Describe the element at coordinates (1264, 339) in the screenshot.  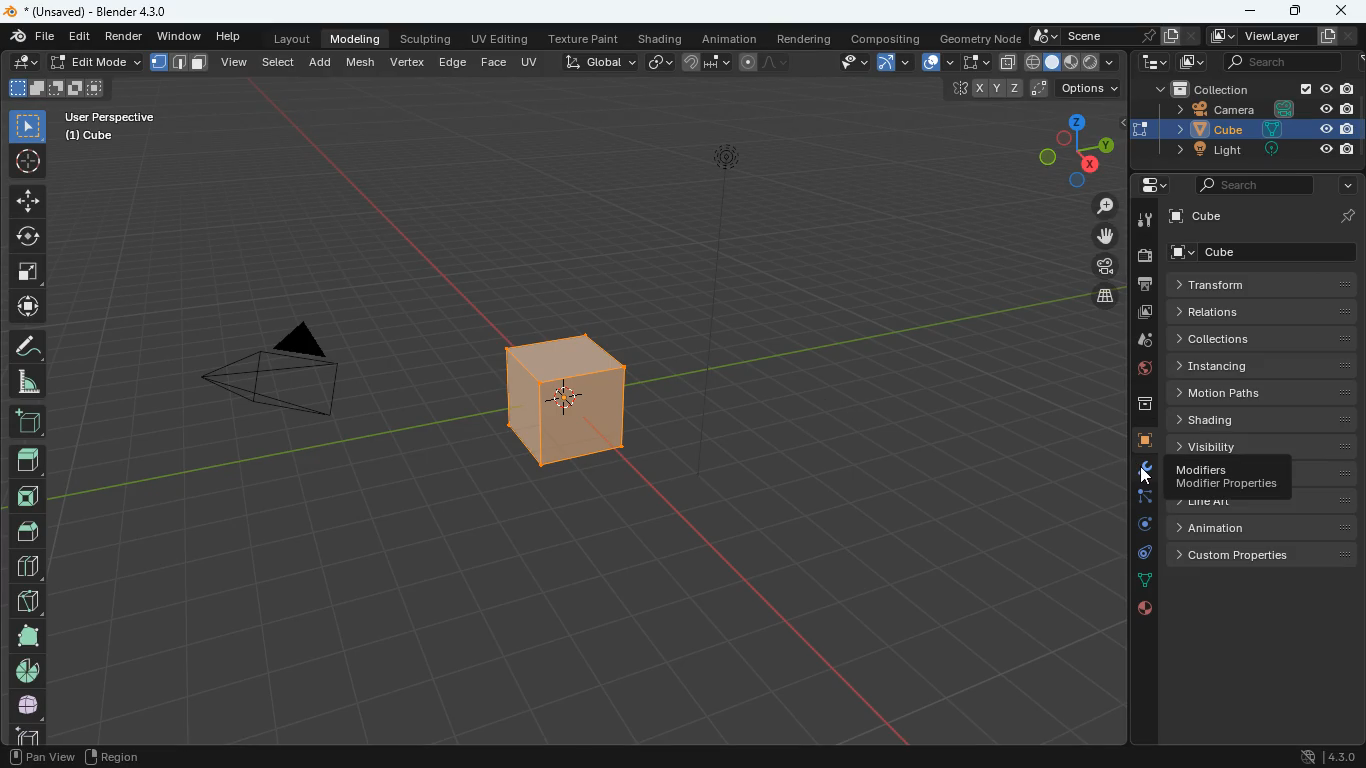
I see `collections` at that location.